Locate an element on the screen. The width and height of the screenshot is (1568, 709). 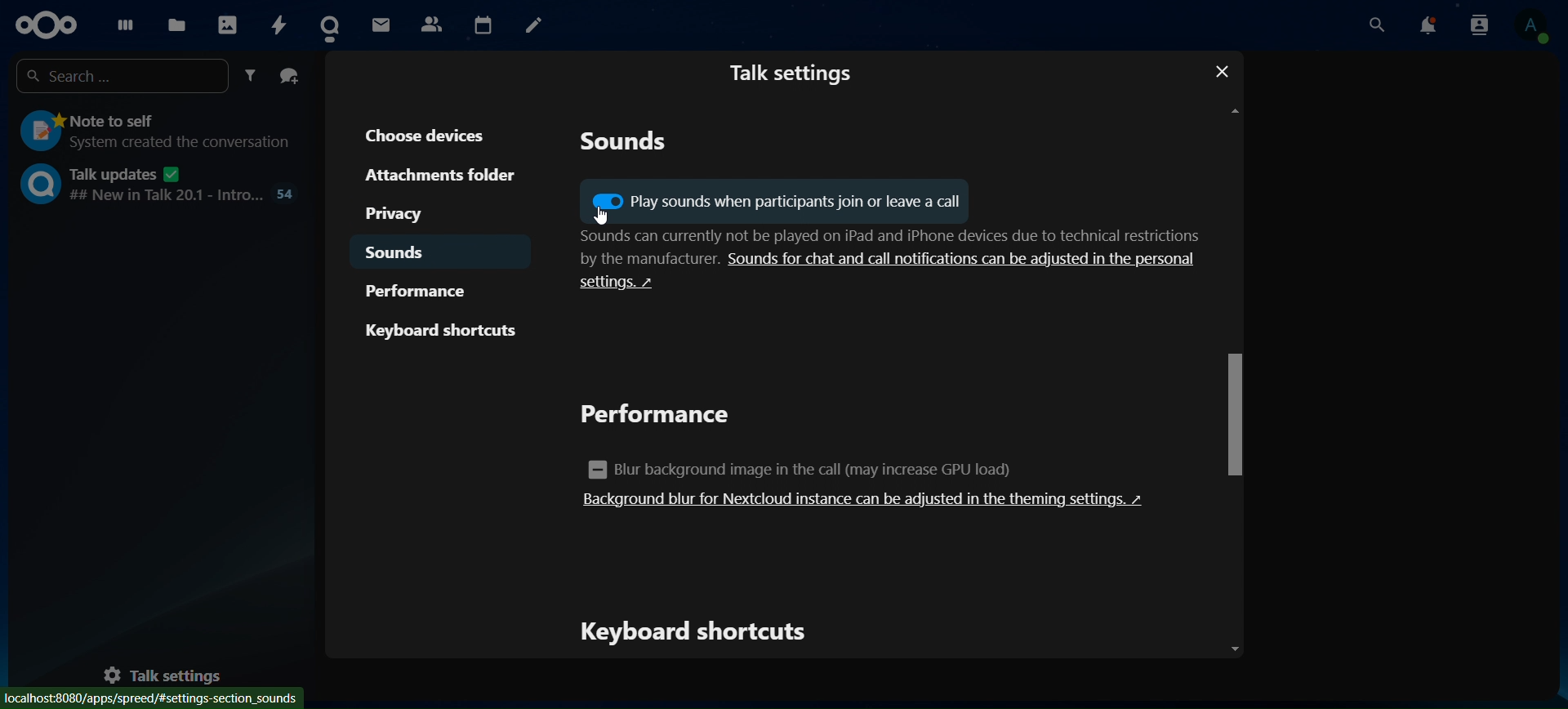
talk is located at coordinates (335, 22).